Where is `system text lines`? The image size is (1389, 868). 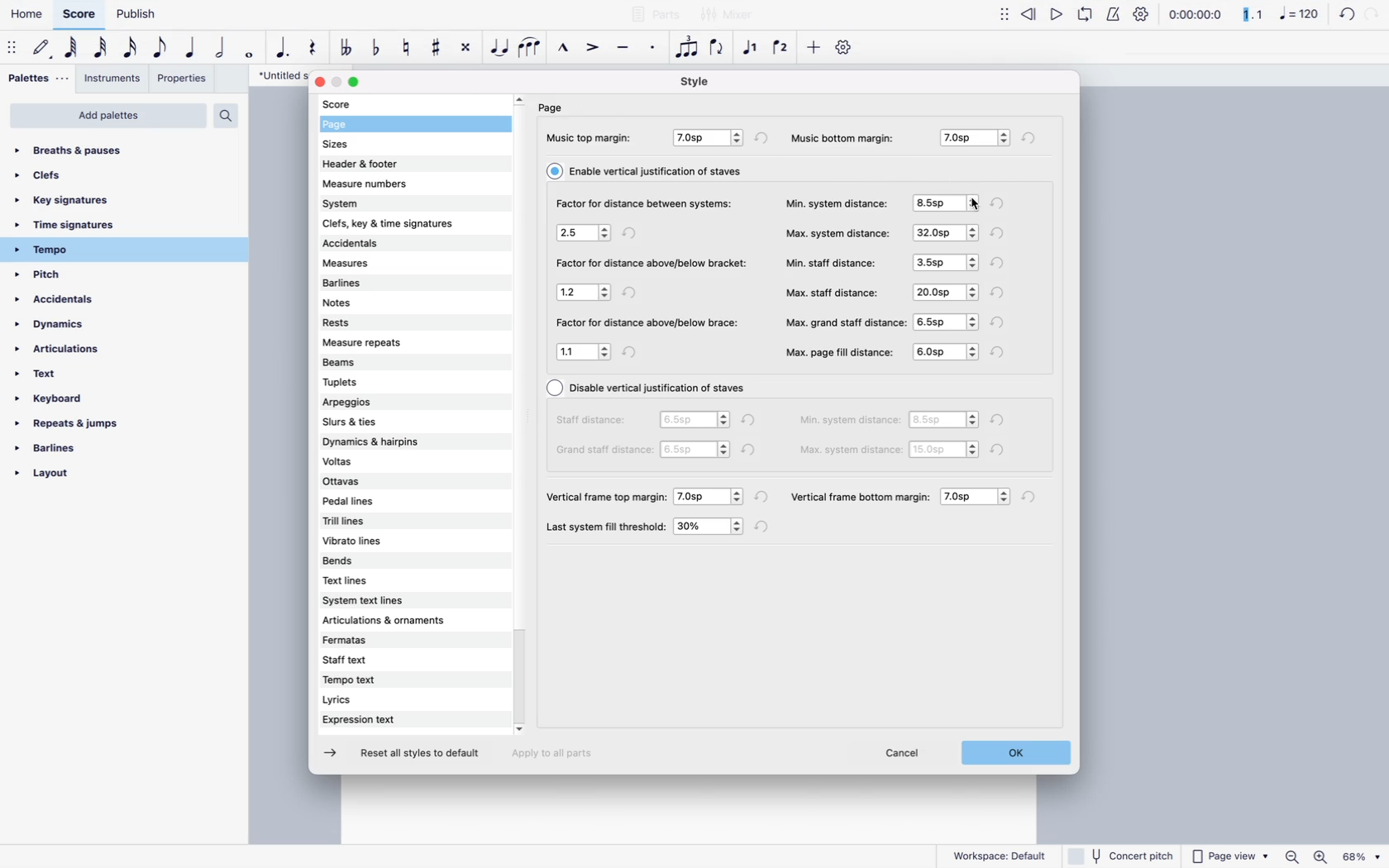
system text lines is located at coordinates (386, 602).